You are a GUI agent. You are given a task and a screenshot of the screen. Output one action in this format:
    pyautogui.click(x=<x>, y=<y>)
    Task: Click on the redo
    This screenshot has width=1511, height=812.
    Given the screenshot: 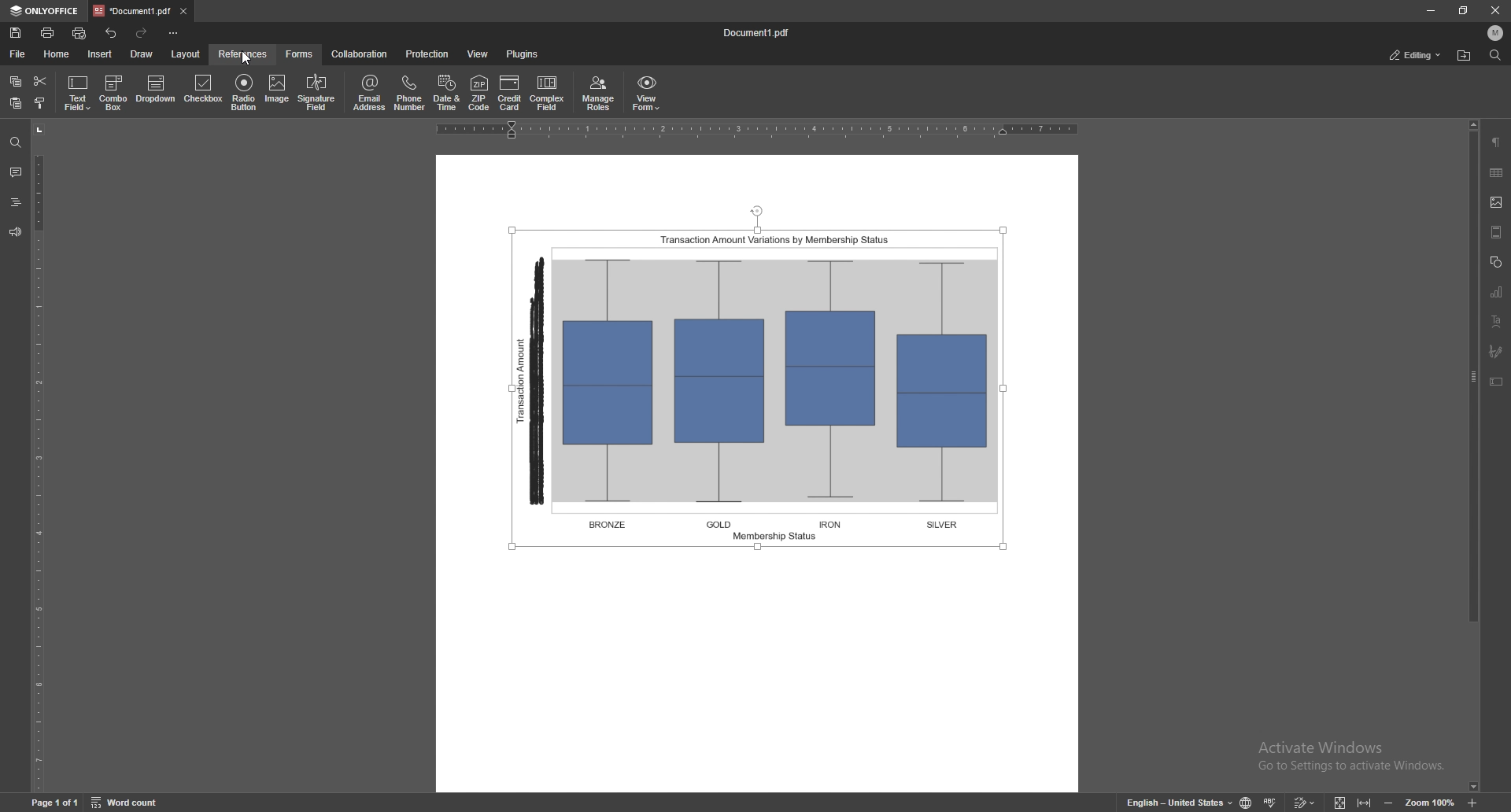 What is the action you would take?
    pyautogui.click(x=142, y=34)
    